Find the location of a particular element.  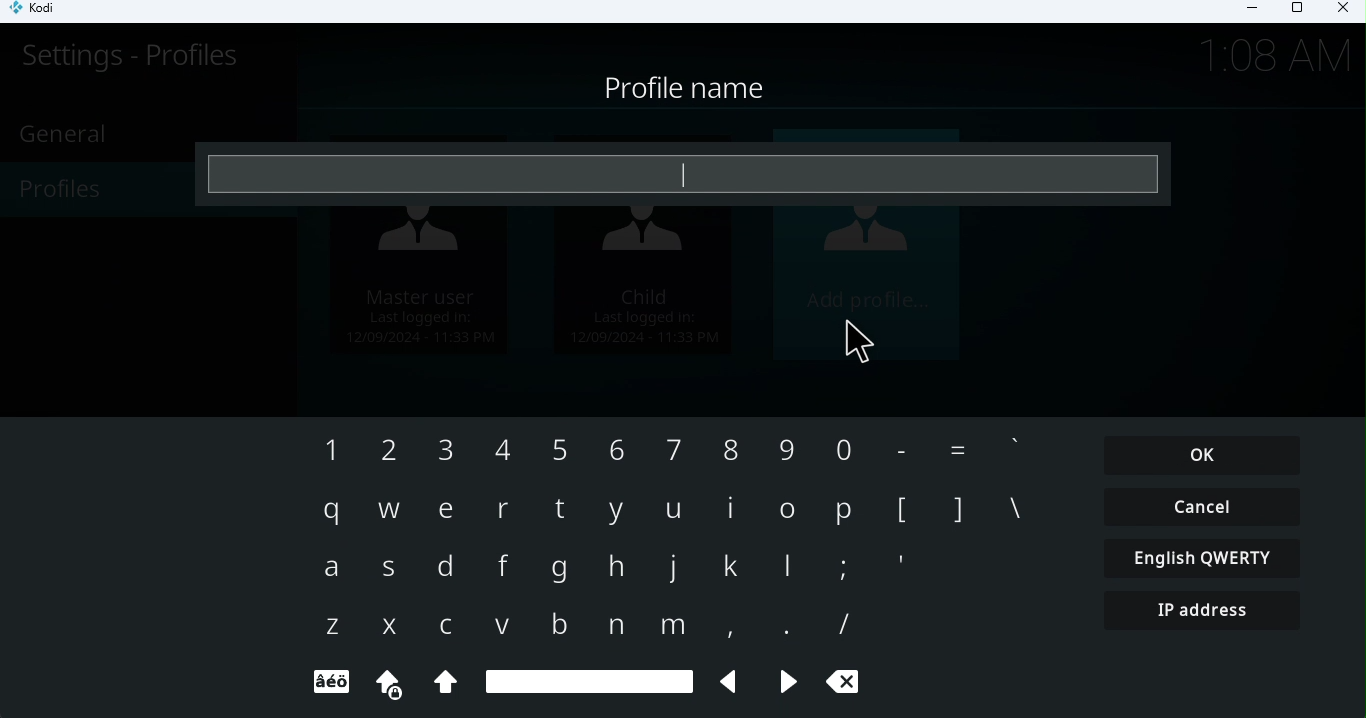

text cursor is located at coordinates (680, 180).